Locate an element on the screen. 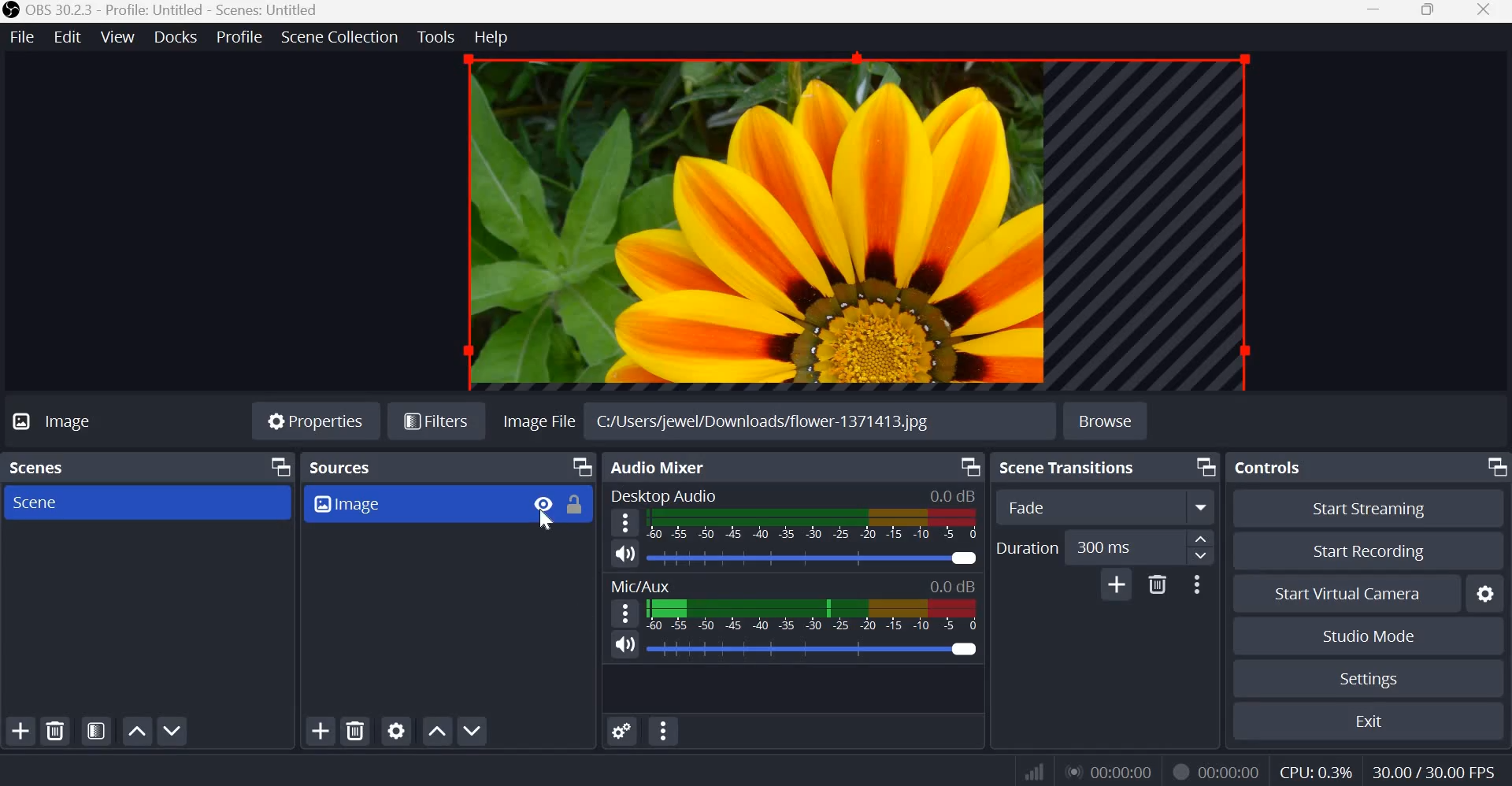  Move scene up is located at coordinates (137, 731).